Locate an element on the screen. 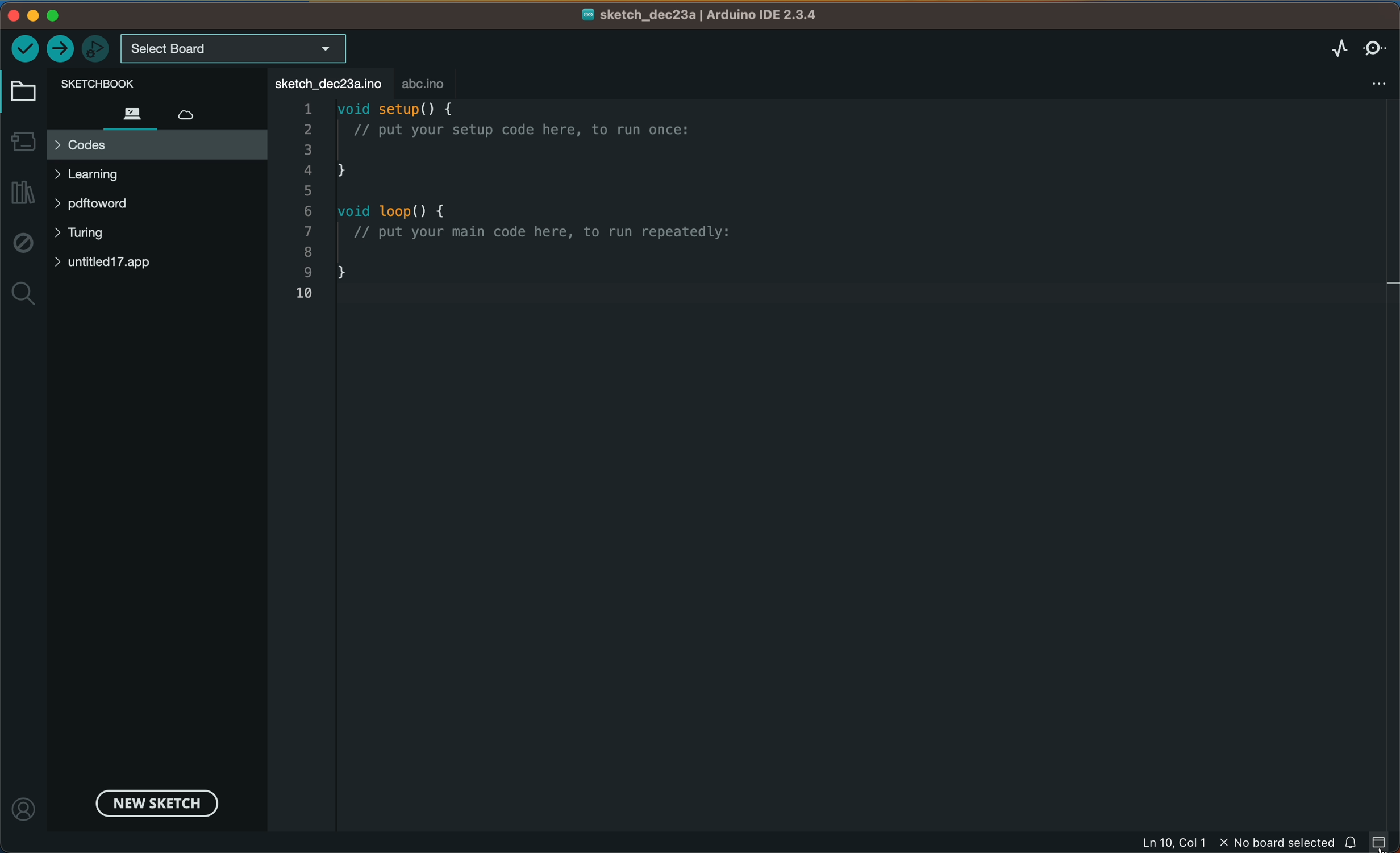  file name is located at coordinates (699, 14).